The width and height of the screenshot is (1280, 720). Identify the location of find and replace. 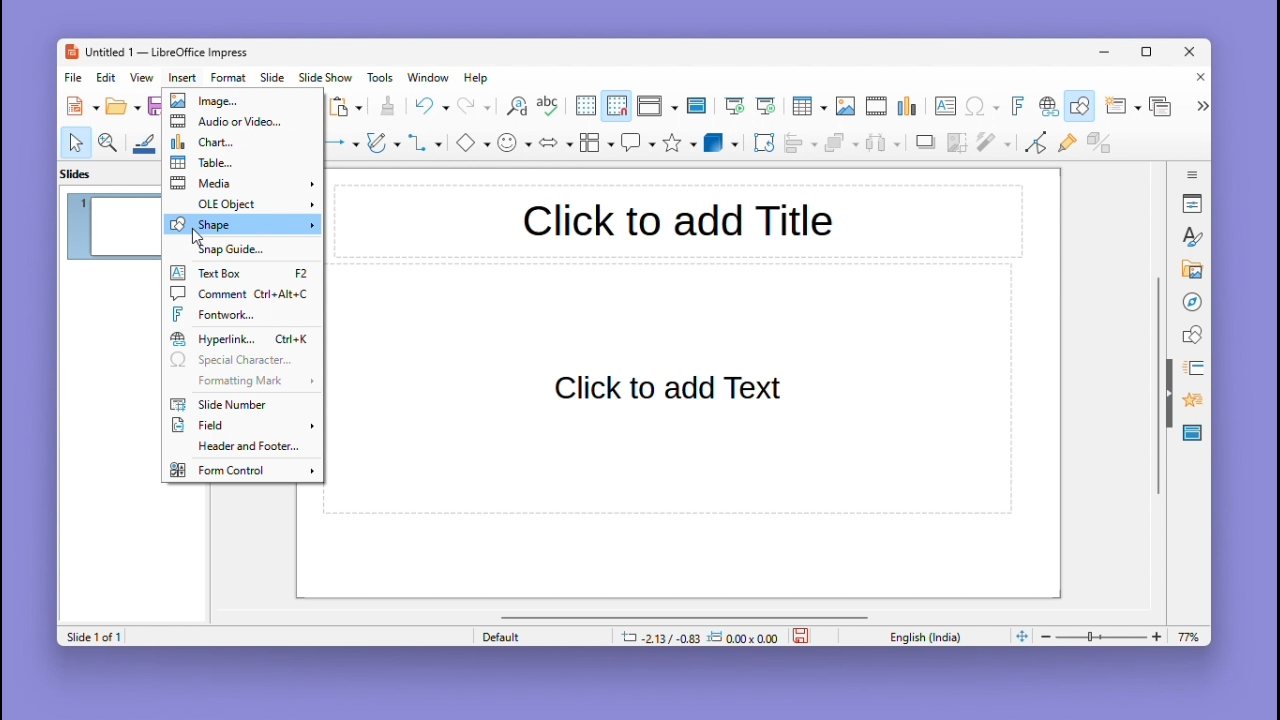
(515, 106).